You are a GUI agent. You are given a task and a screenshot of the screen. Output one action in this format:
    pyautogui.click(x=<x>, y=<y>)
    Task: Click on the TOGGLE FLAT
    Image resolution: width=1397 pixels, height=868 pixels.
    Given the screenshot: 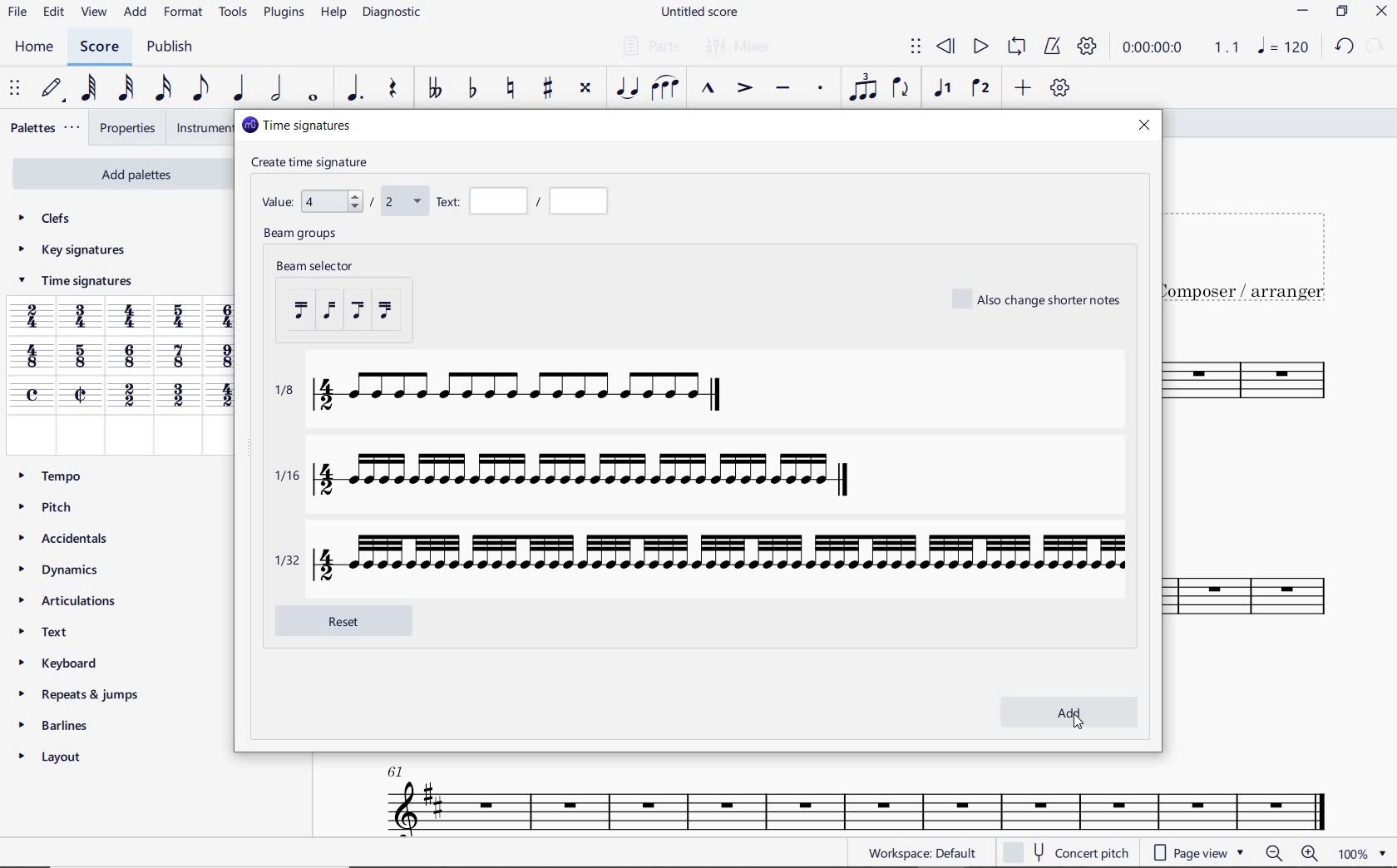 What is the action you would take?
    pyautogui.click(x=471, y=89)
    